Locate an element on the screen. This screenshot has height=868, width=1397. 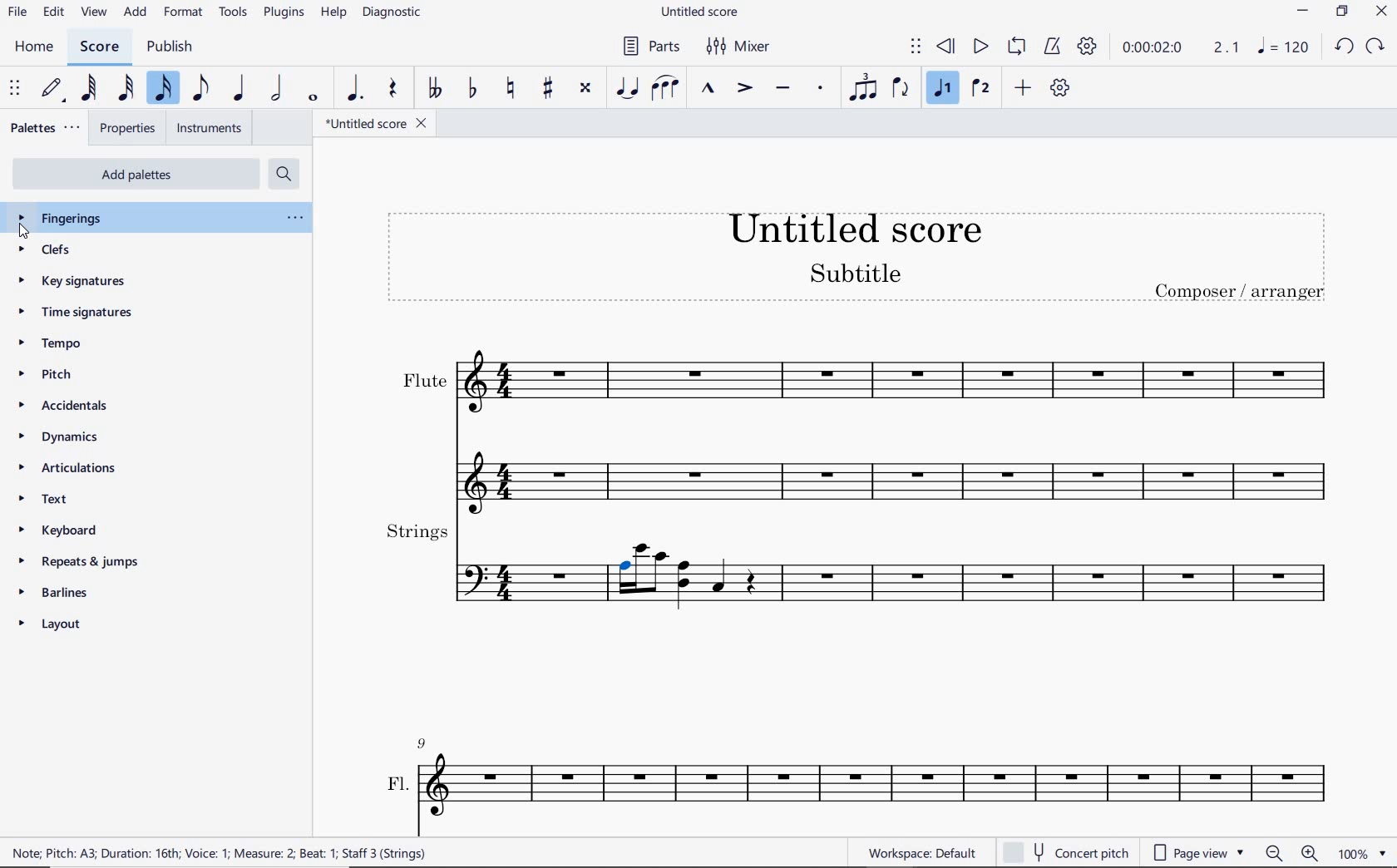
toggle double-sharp is located at coordinates (586, 88).